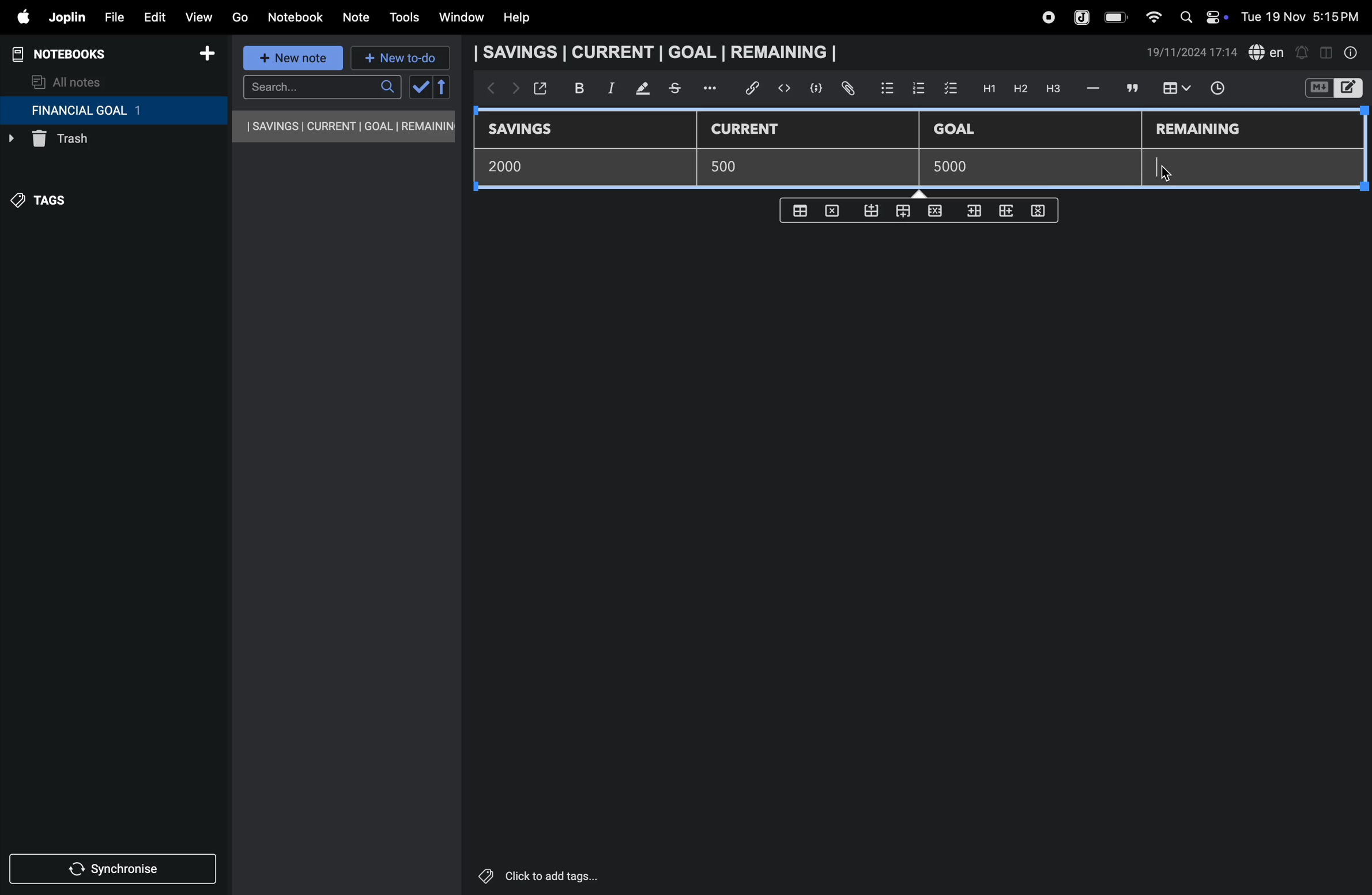 This screenshot has width=1372, height=895. What do you see at coordinates (1095, 88) in the screenshot?
I see `hifen` at bounding box center [1095, 88].